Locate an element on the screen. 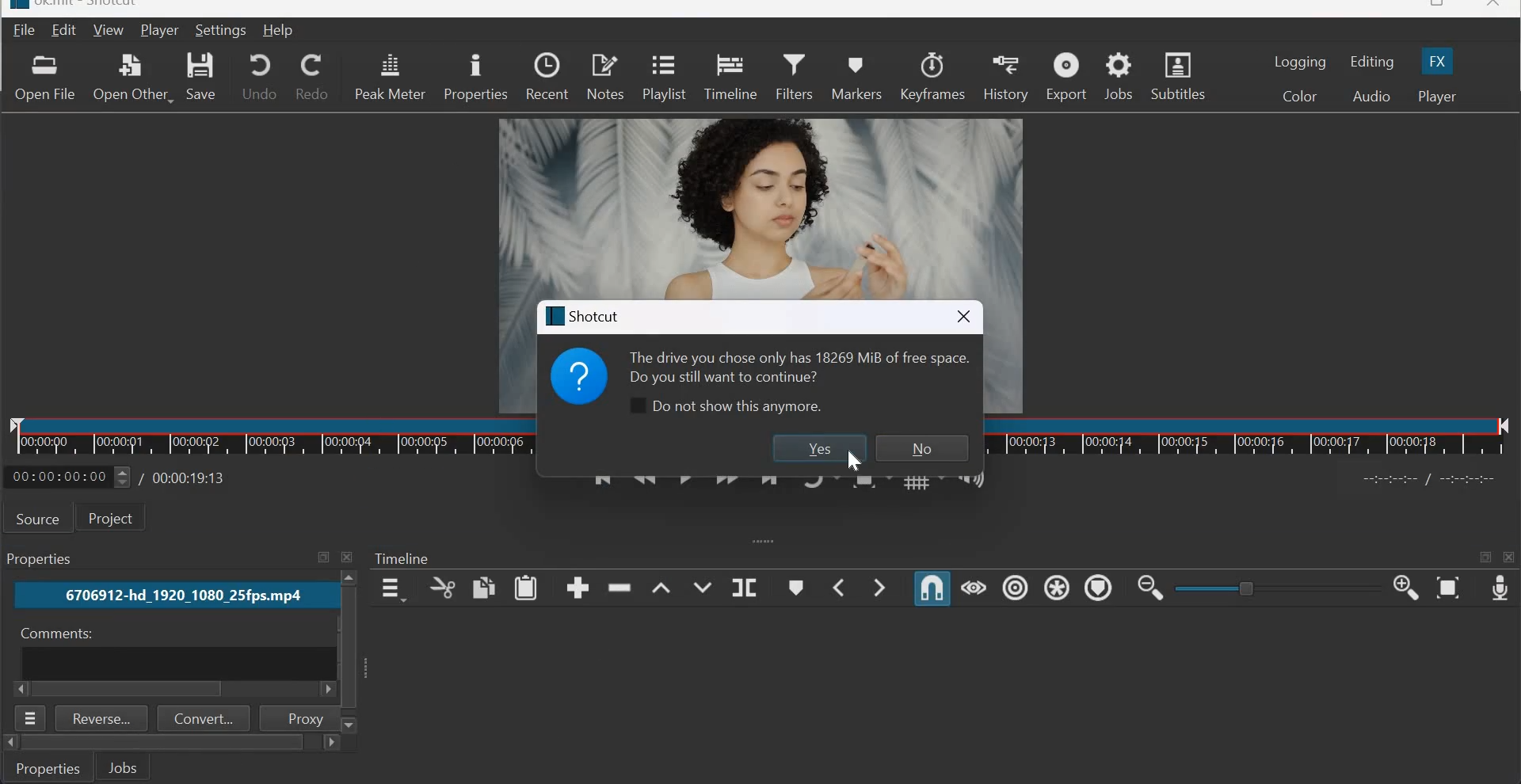 The image size is (1521, 784). History is located at coordinates (1005, 76).